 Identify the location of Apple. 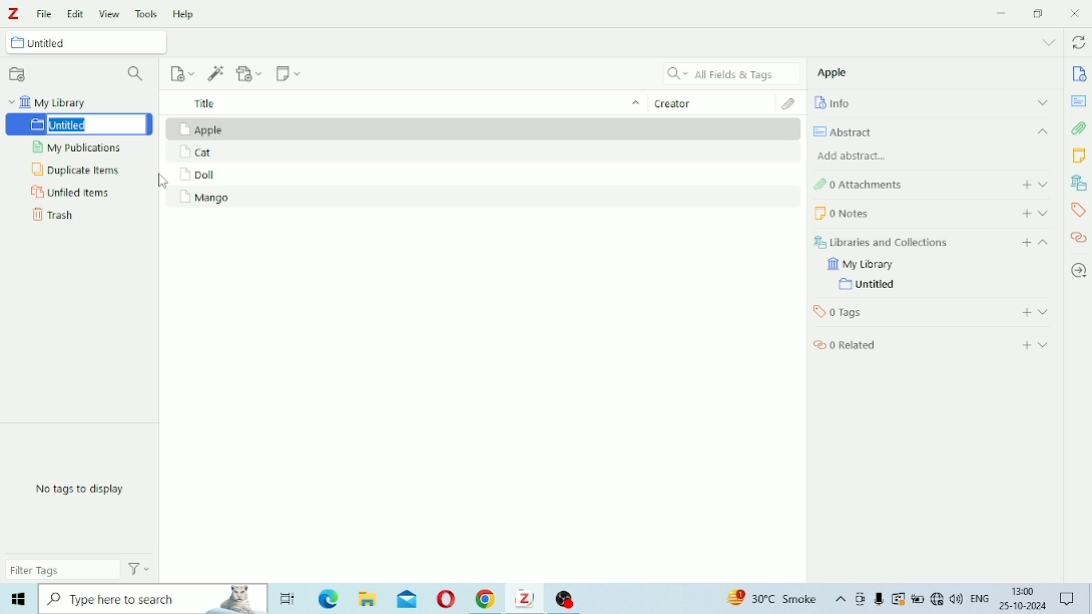
(833, 73).